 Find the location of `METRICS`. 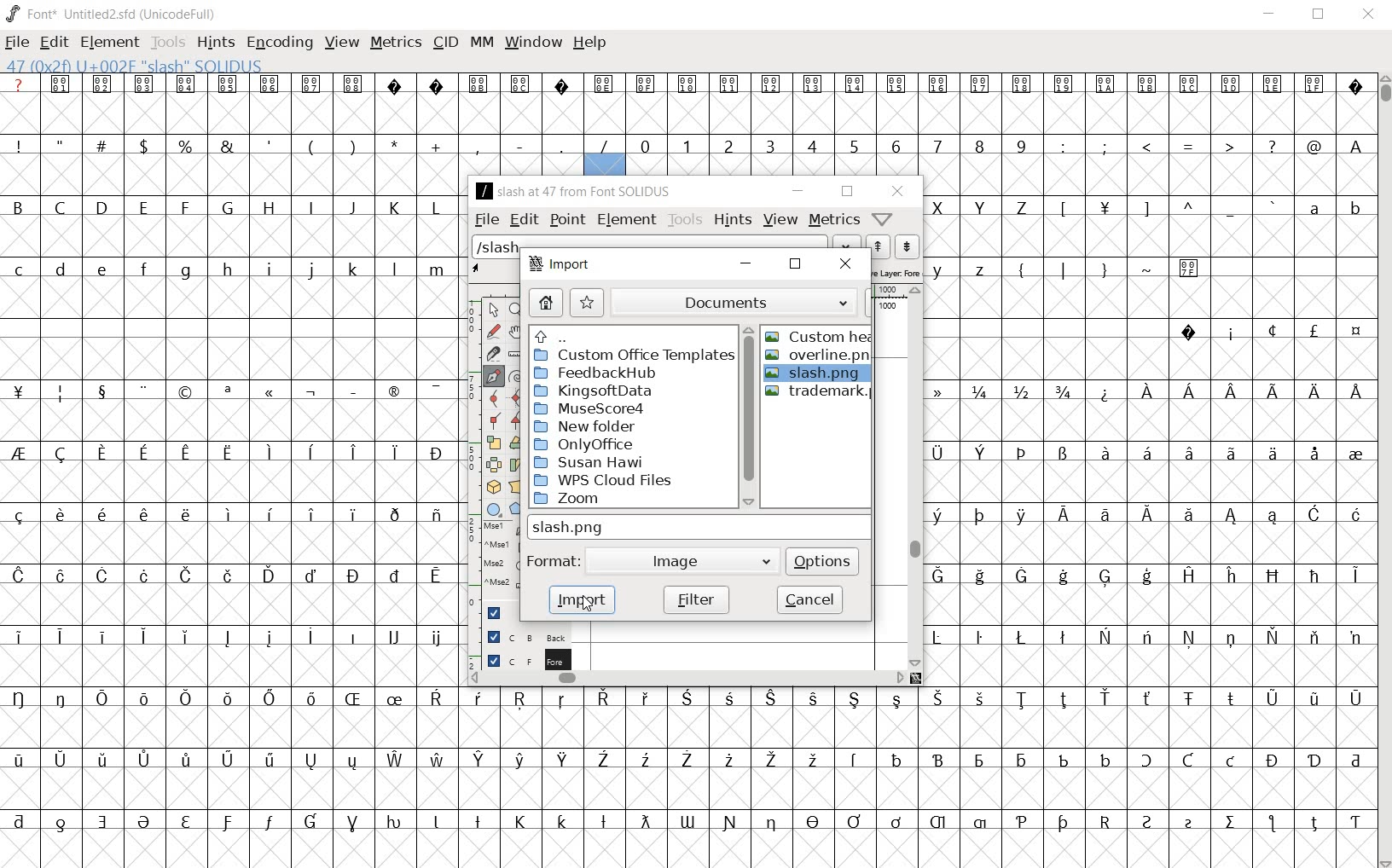

METRICS is located at coordinates (393, 45).